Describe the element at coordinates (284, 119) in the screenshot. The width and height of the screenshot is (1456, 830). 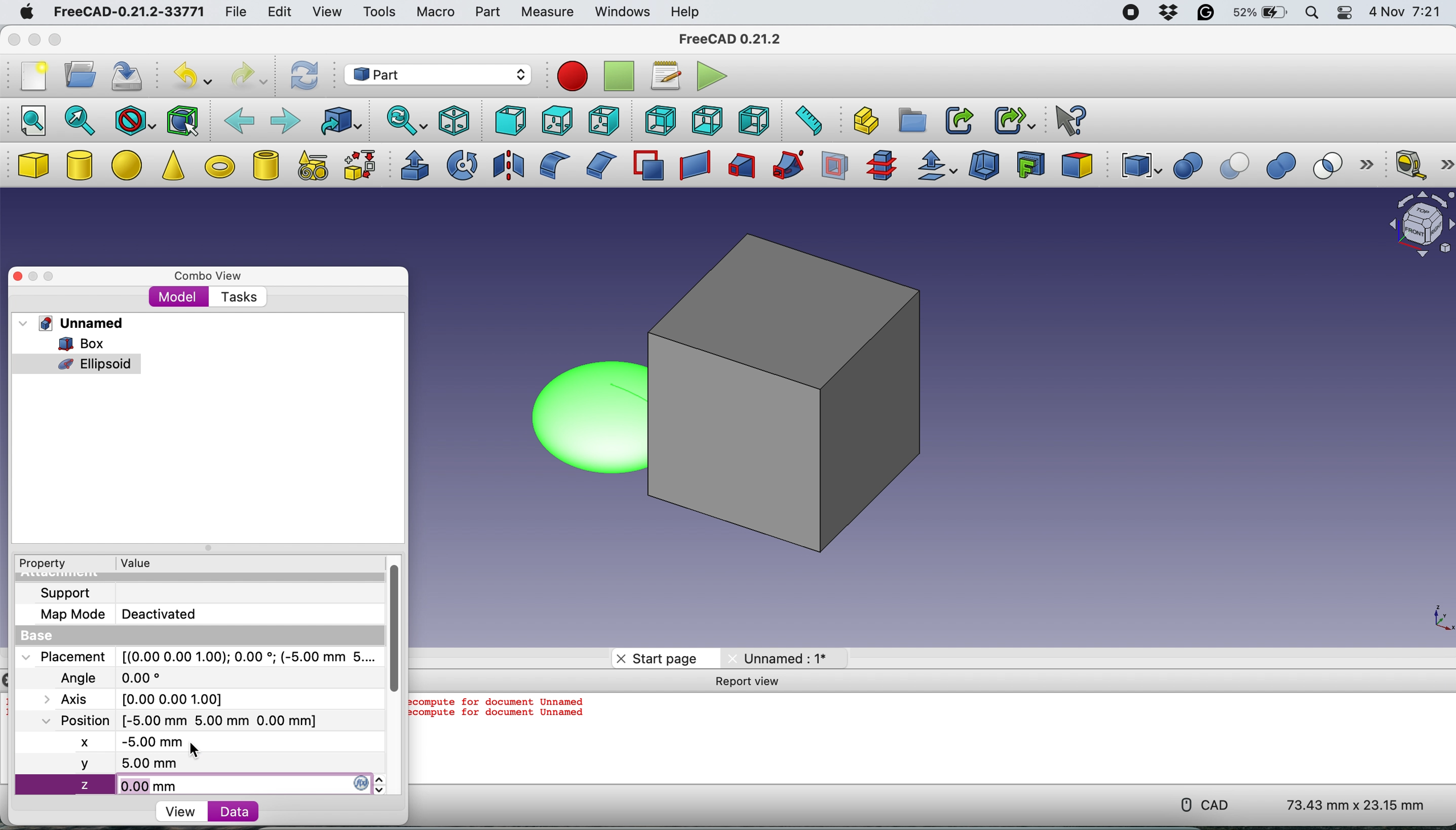
I see `forward` at that location.